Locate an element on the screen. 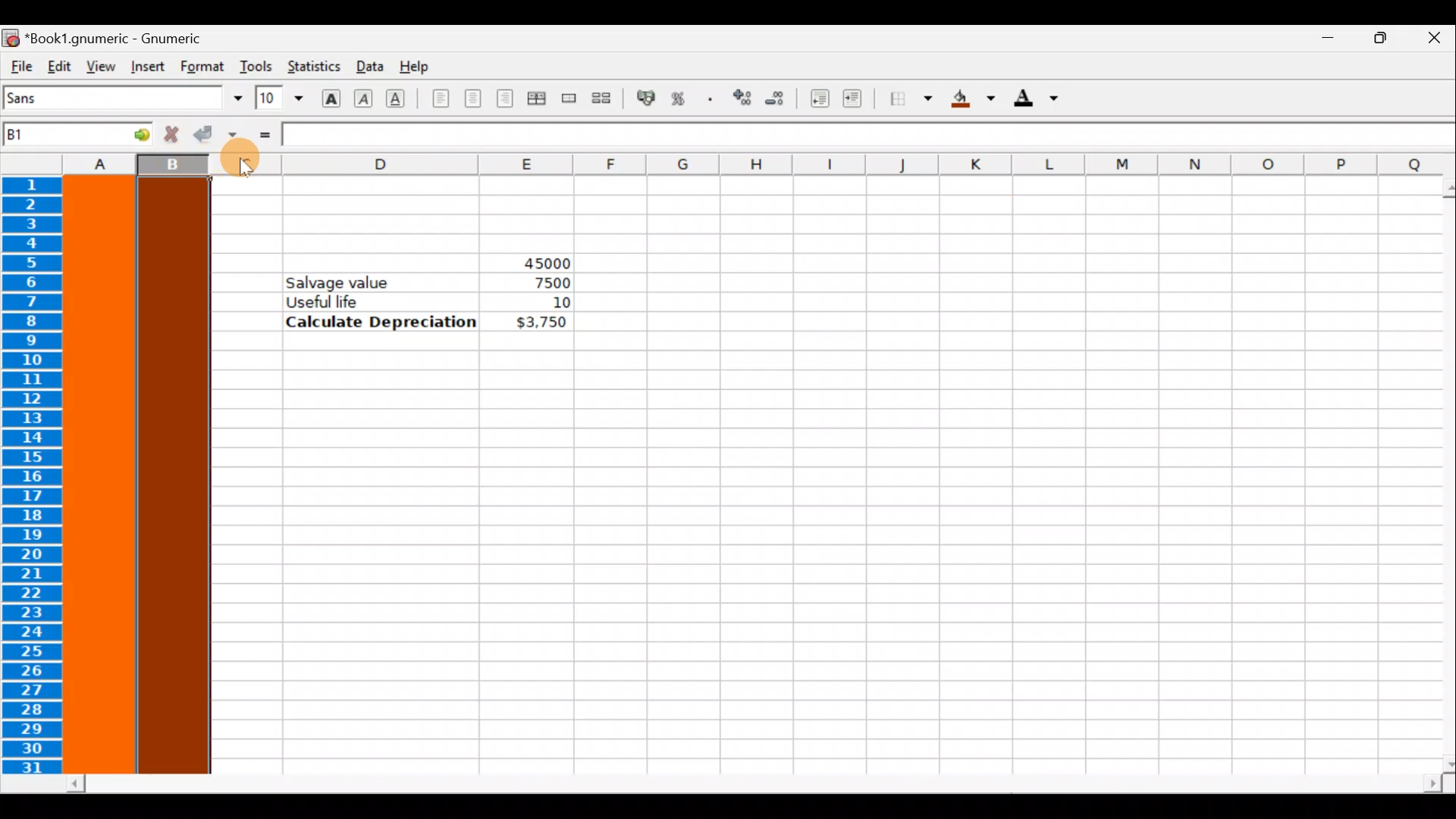 The image size is (1456, 819). 7500 is located at coordinates (548, 283).